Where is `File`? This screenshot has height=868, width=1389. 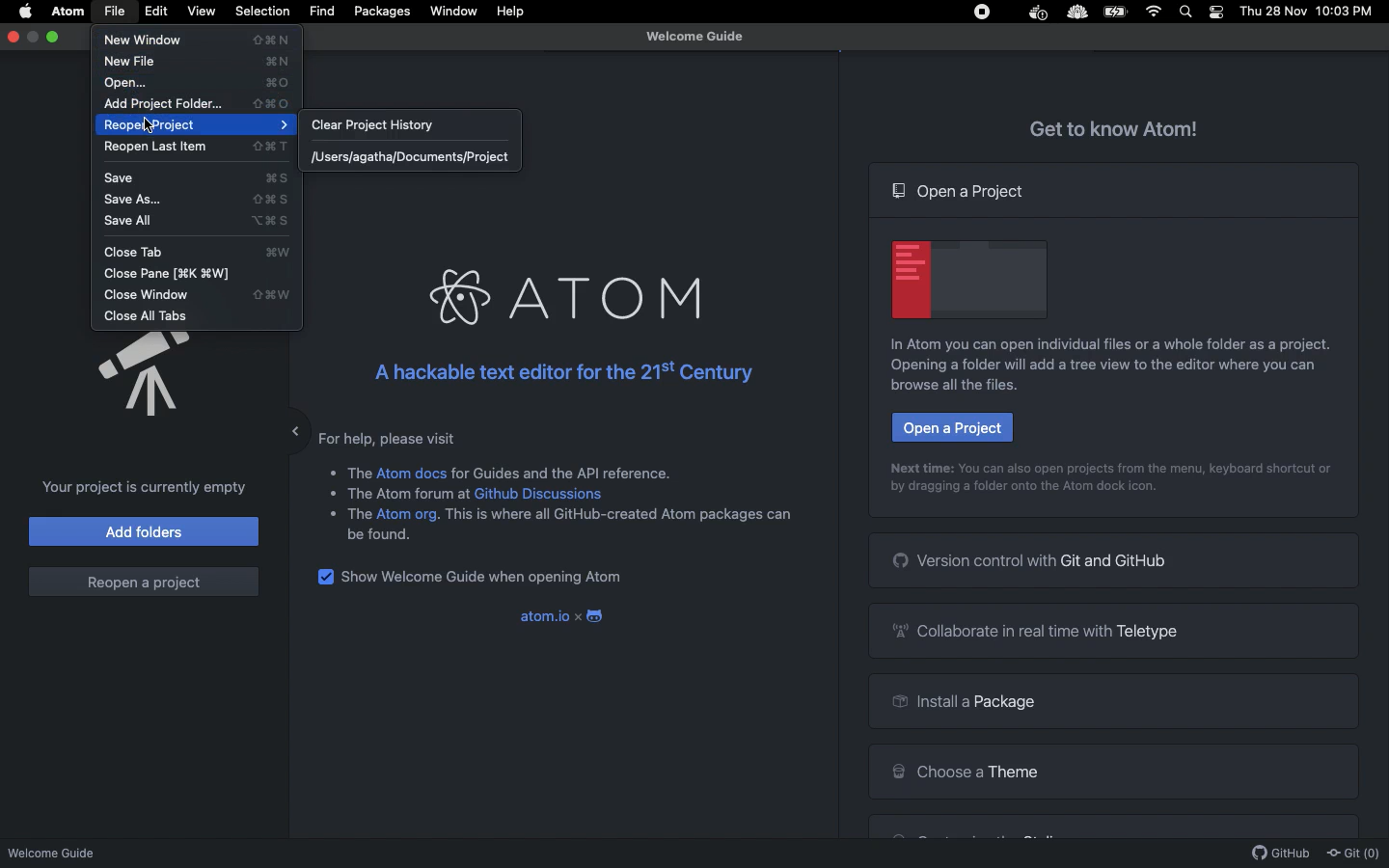
File is located at coordinates (114, 12).